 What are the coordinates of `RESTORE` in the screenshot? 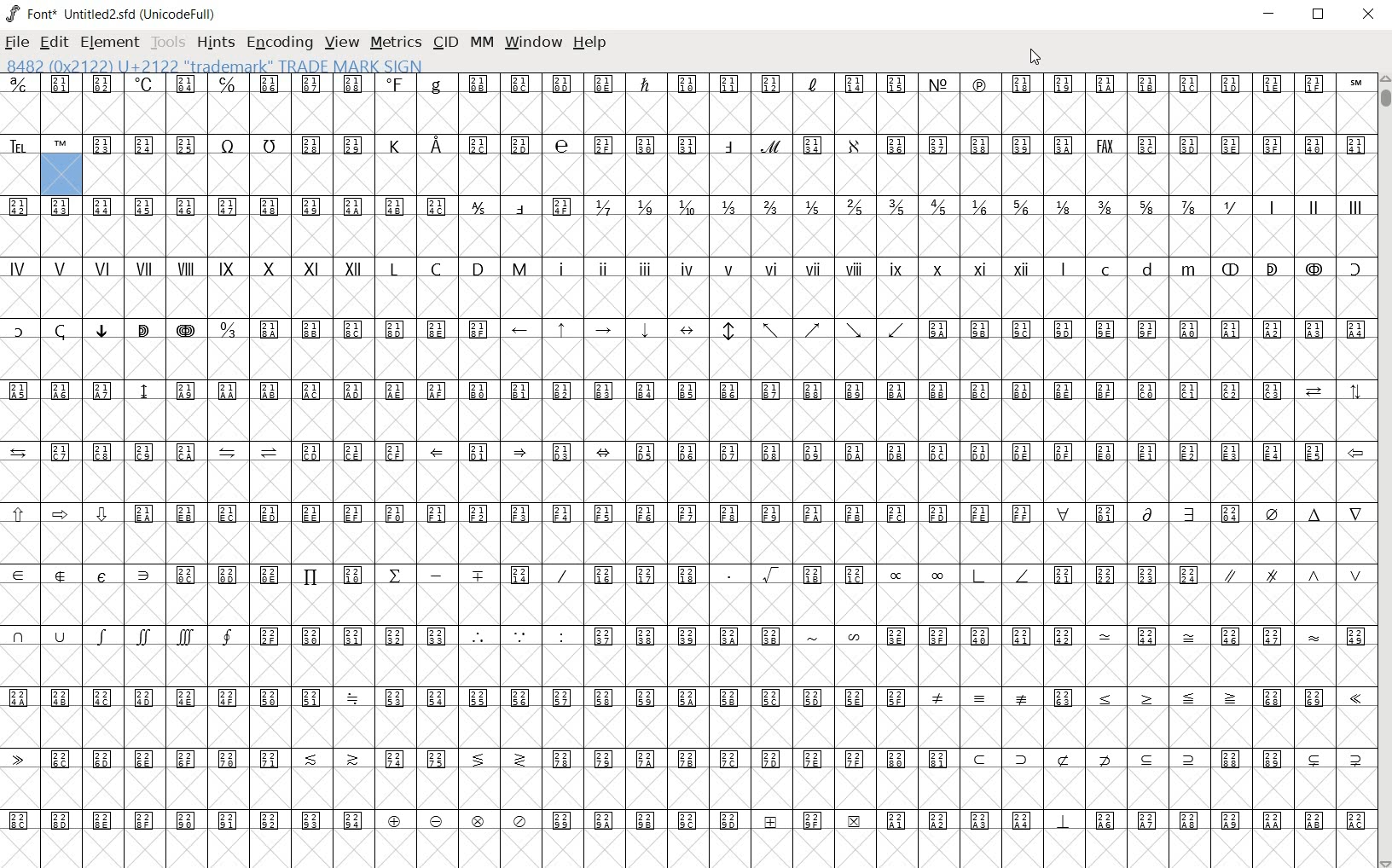 It's located at (1318, 16).